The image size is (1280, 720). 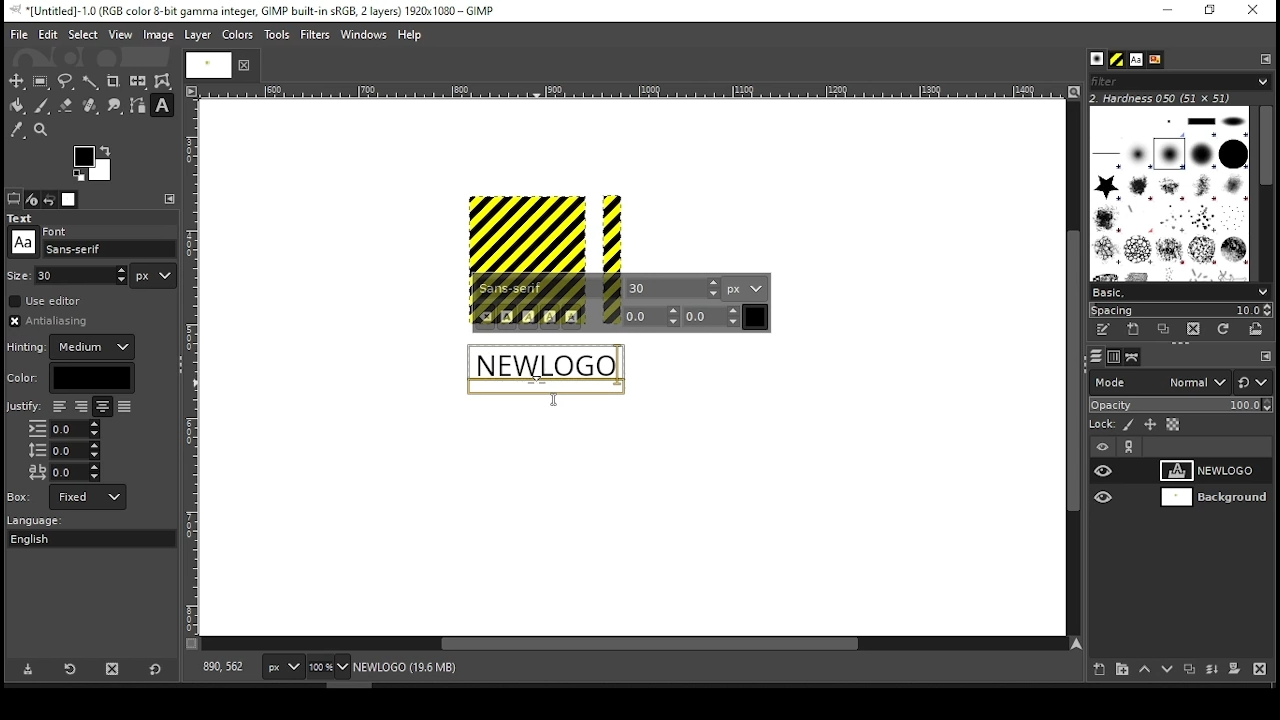 I want to click on layer visibility, so click(x=1103, y=447).